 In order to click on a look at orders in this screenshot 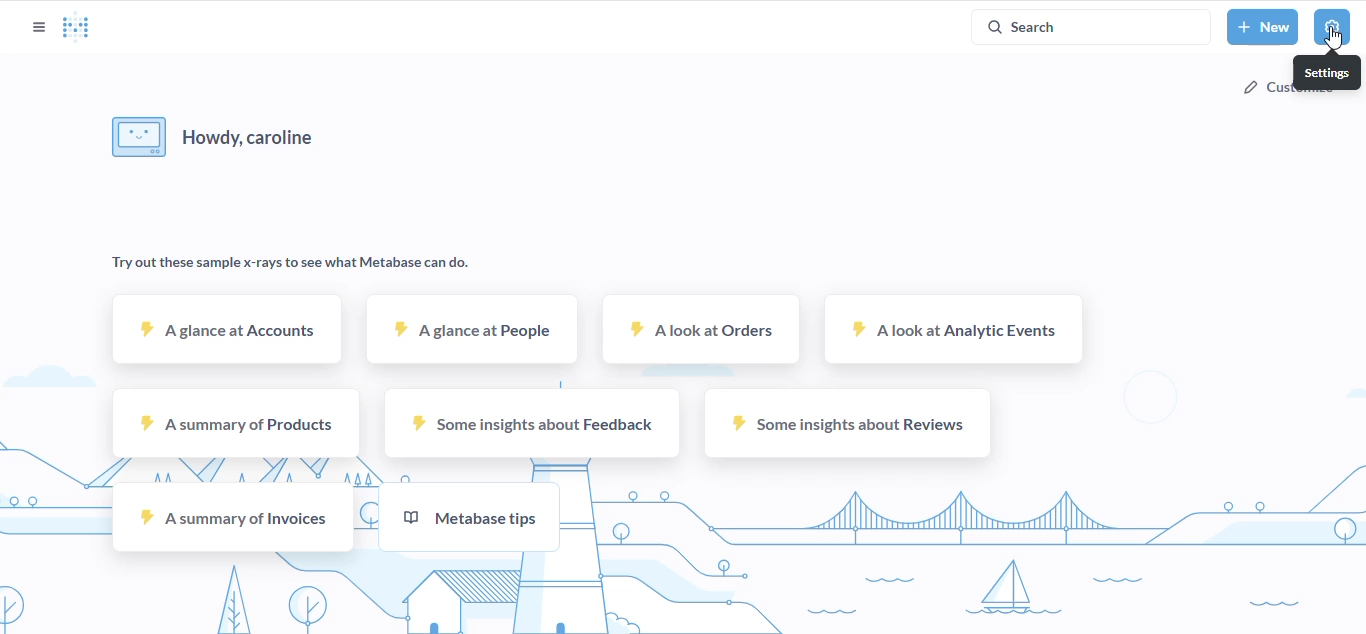, I will do `click(701, 330)`.